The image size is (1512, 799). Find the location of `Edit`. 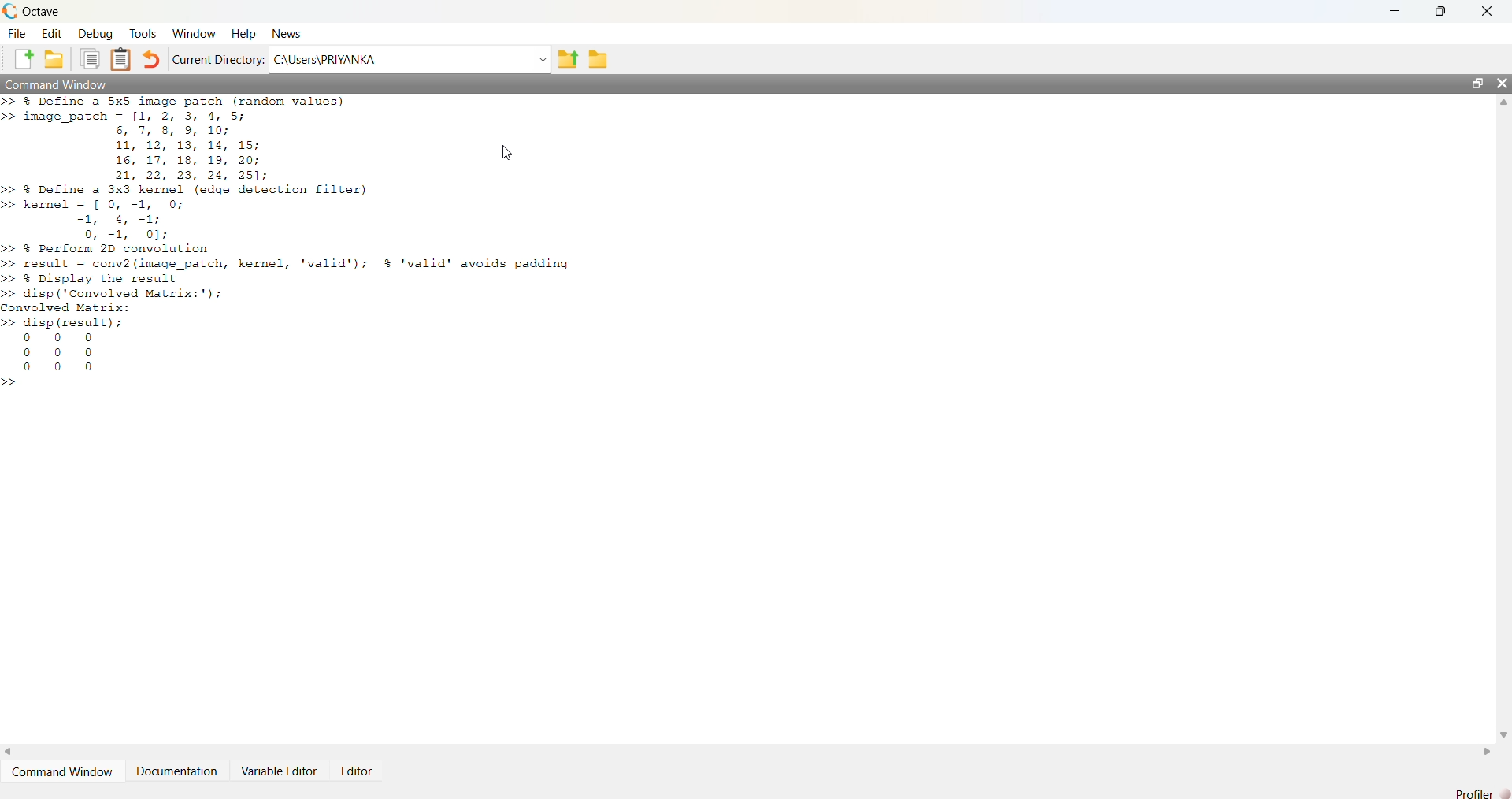

Edit is located at coordinates (54, 33).